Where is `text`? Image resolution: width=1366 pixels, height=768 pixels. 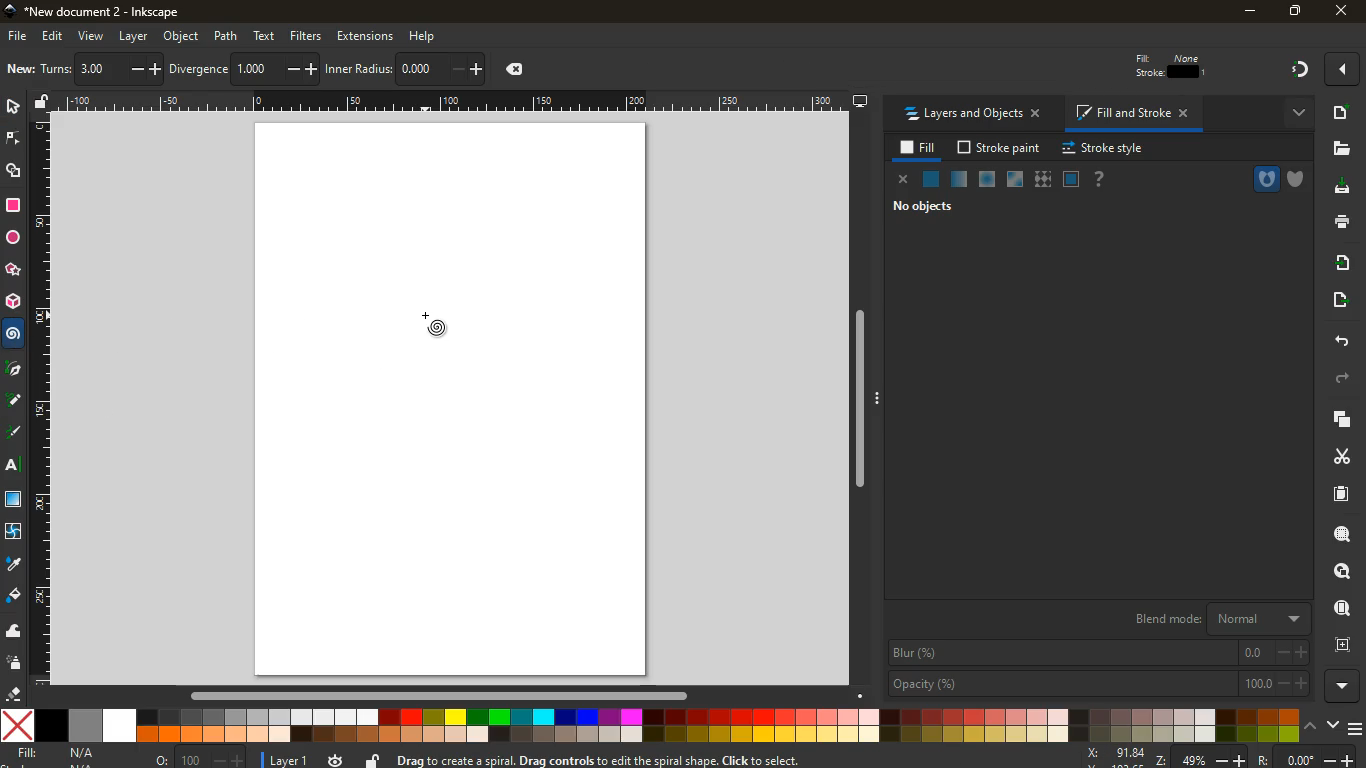 text is located at coordinates (15, 467).